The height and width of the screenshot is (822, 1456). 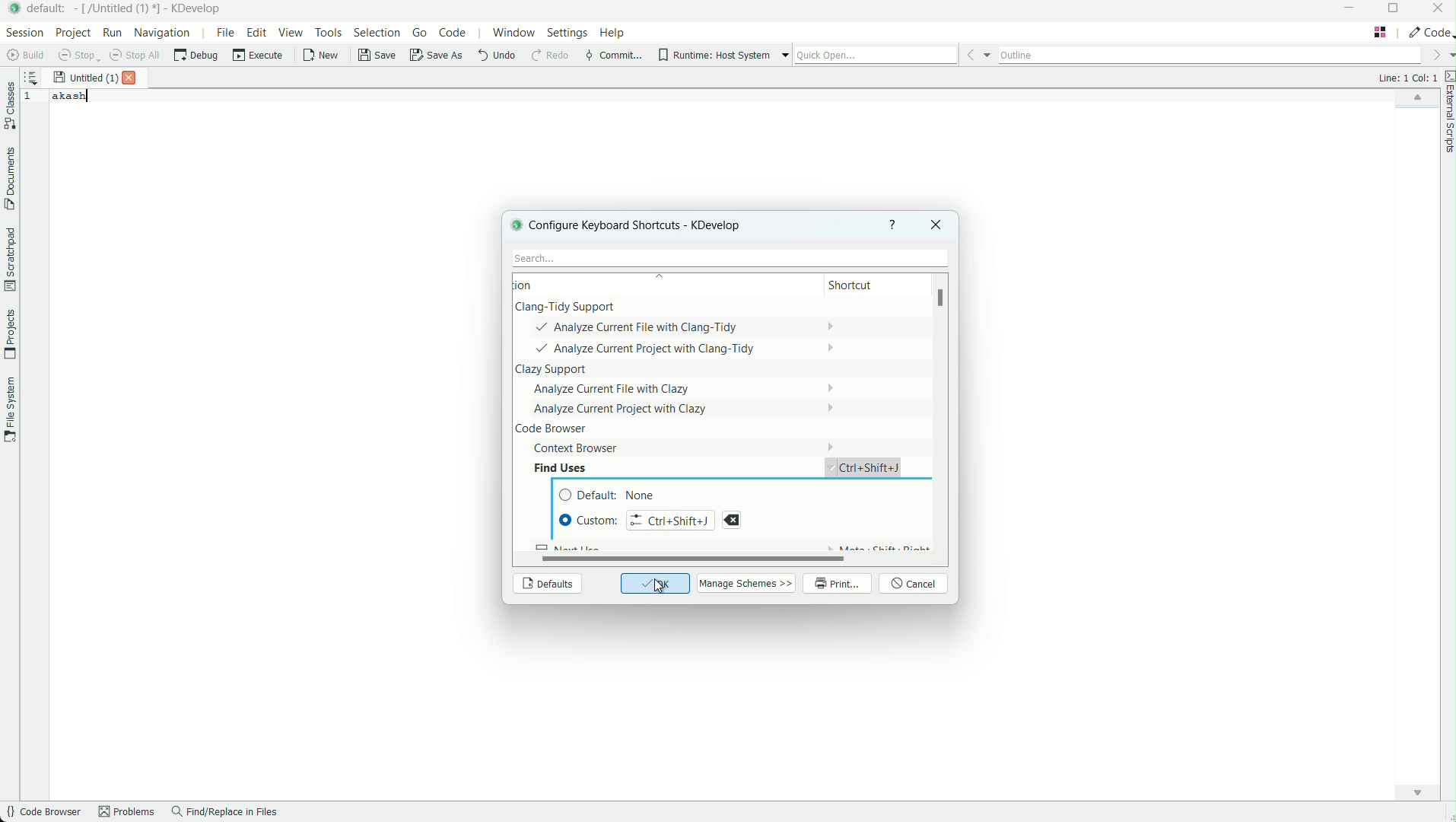 I want to click on undo, so click(x=495, y=56).